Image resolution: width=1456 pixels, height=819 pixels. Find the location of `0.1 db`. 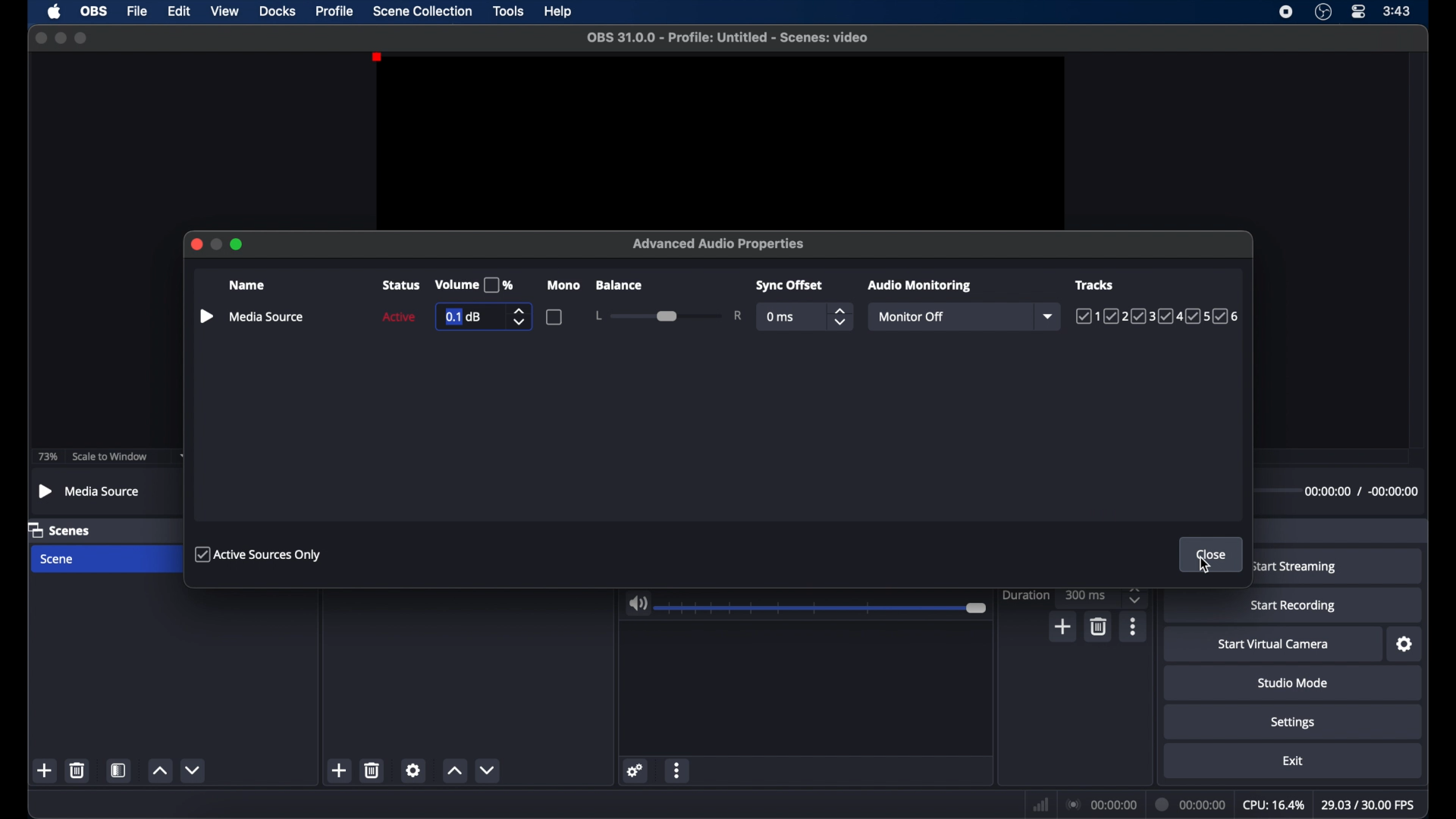

0.1 db is located at coordinates (463, 317).